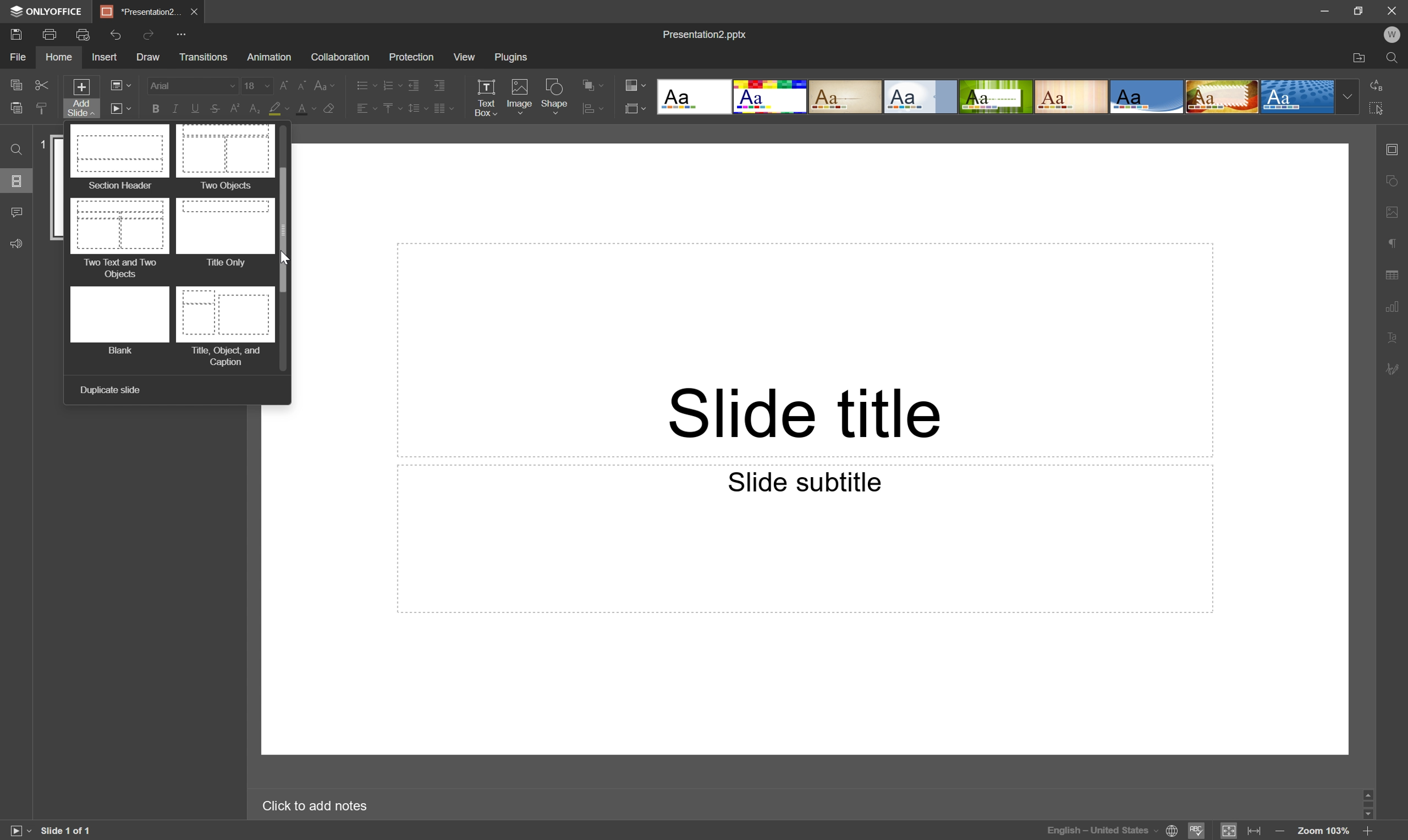  I want to click on Feedback & Support, so click(18, 242).